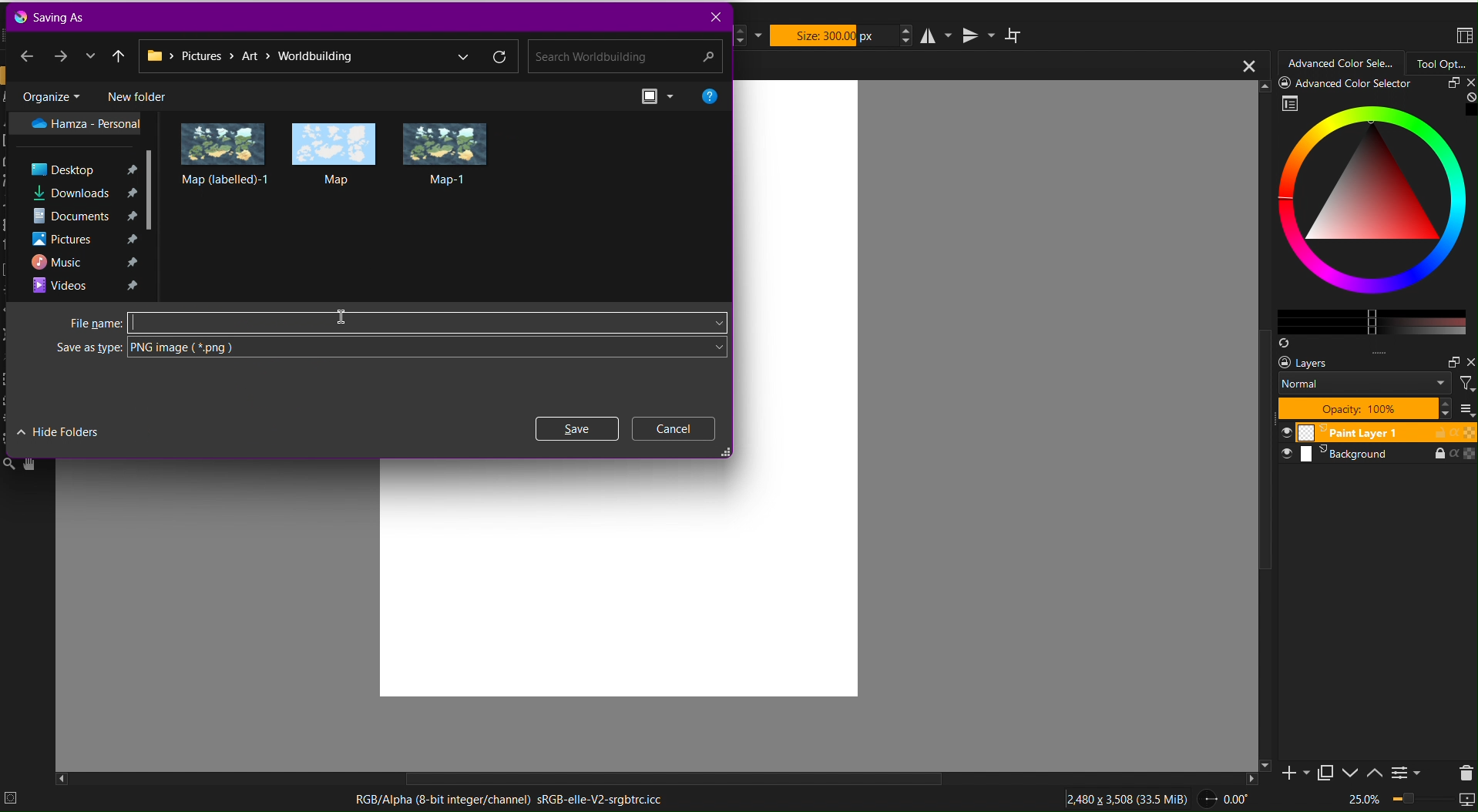  Describe the element at coordinates (710, 95) in the screenshot. I see `Help` at that location.